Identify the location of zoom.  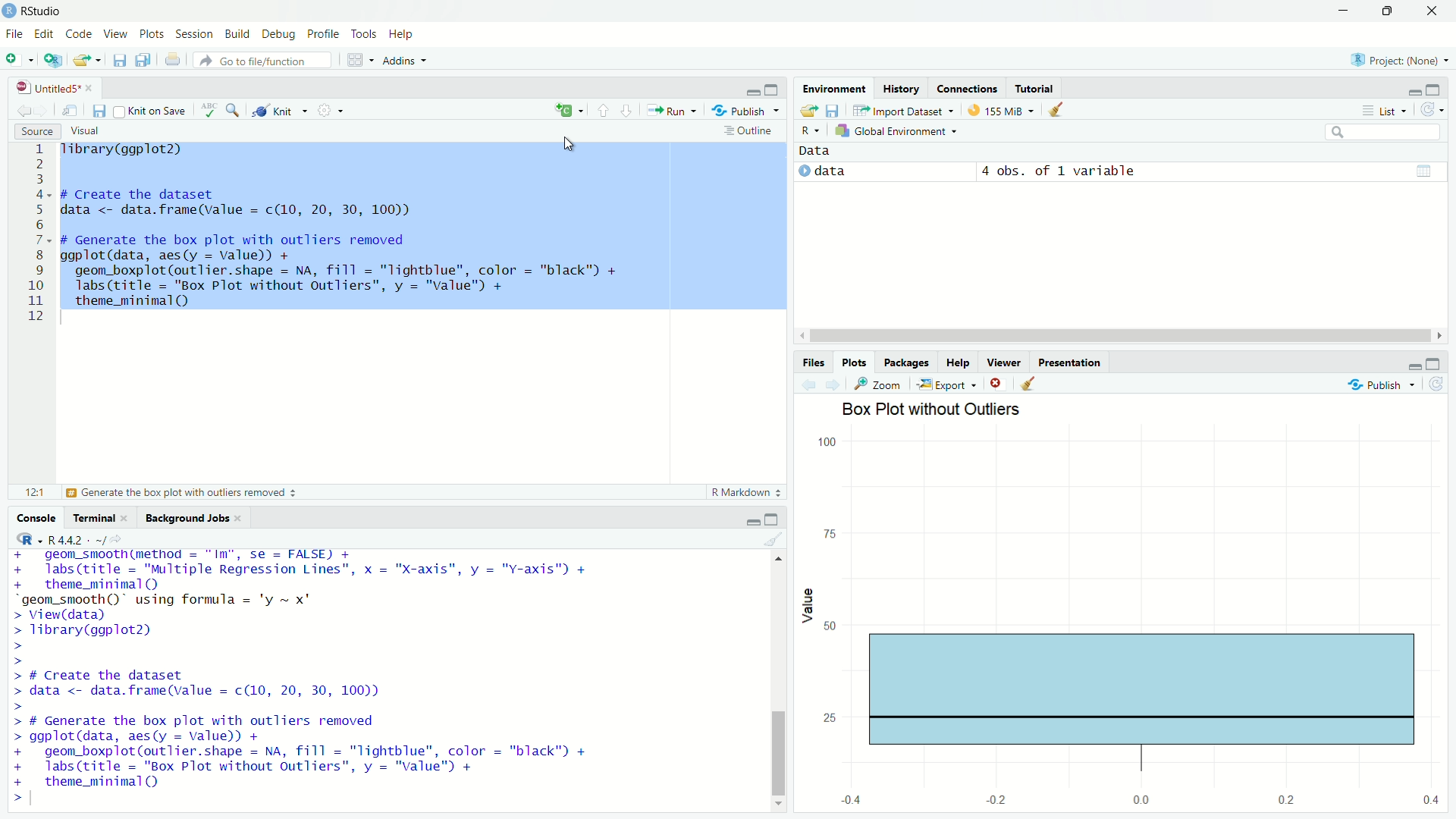
(234, 108).